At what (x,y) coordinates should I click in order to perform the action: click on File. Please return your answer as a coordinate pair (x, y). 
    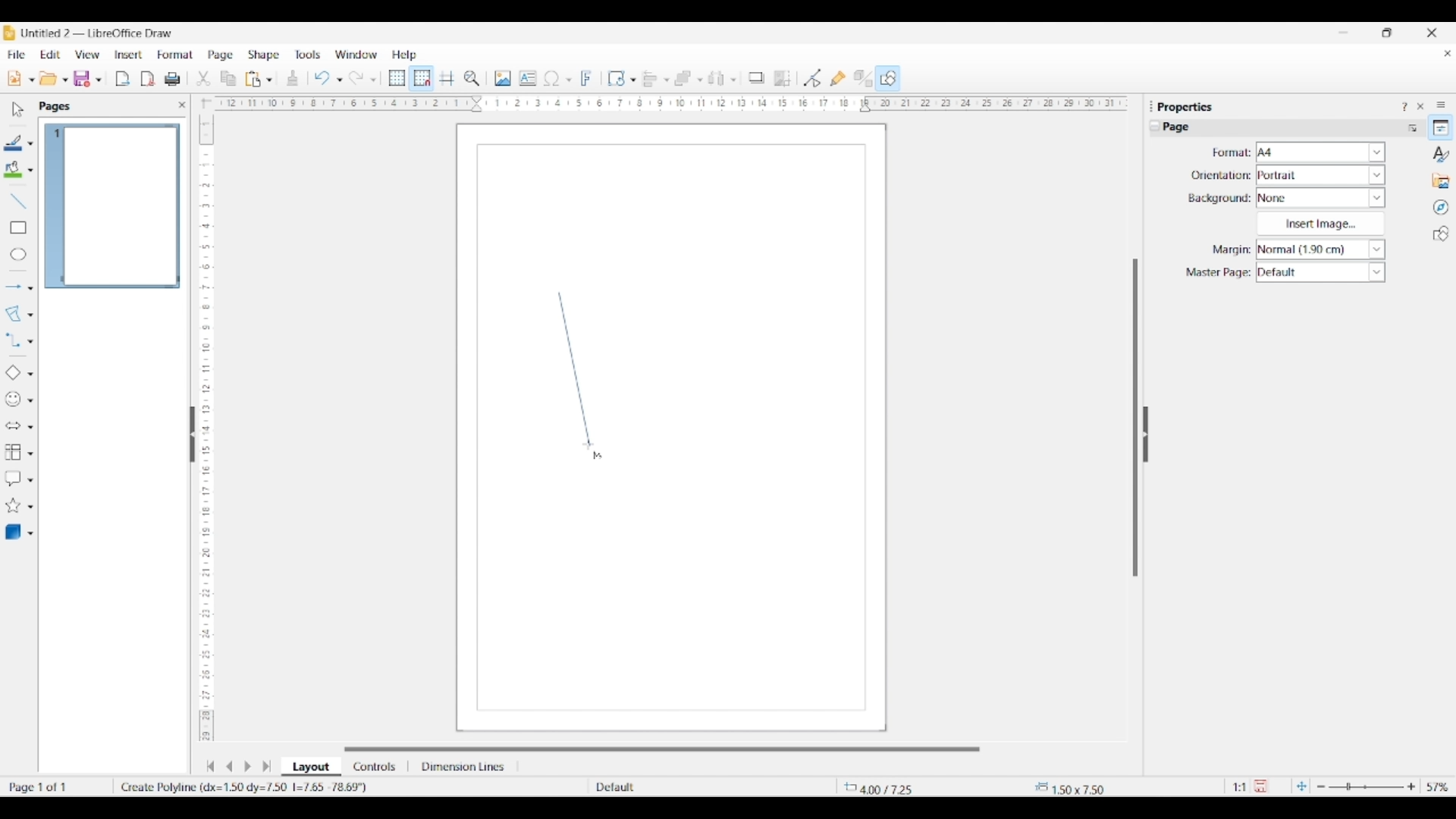
    Looking at the image, I should click on (16, 55).